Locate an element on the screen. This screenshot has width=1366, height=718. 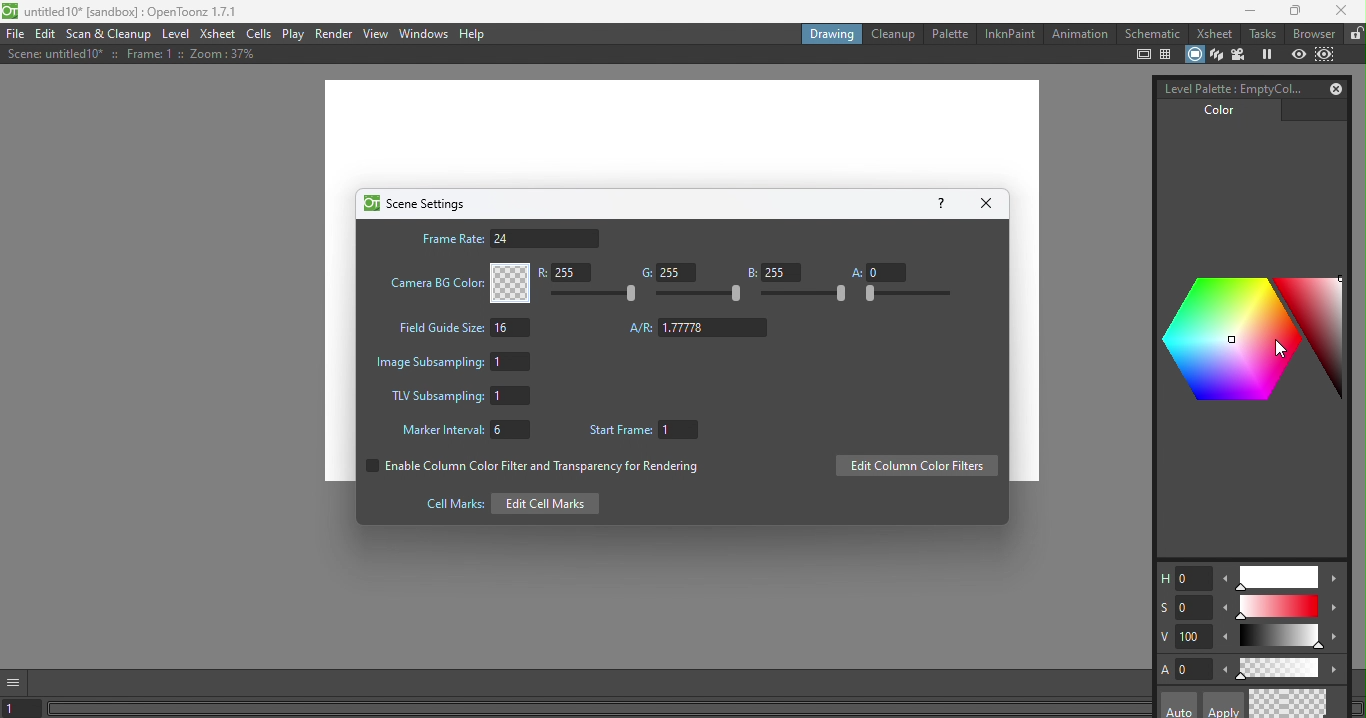
Color palettes is located at coordinates (1252, 342).